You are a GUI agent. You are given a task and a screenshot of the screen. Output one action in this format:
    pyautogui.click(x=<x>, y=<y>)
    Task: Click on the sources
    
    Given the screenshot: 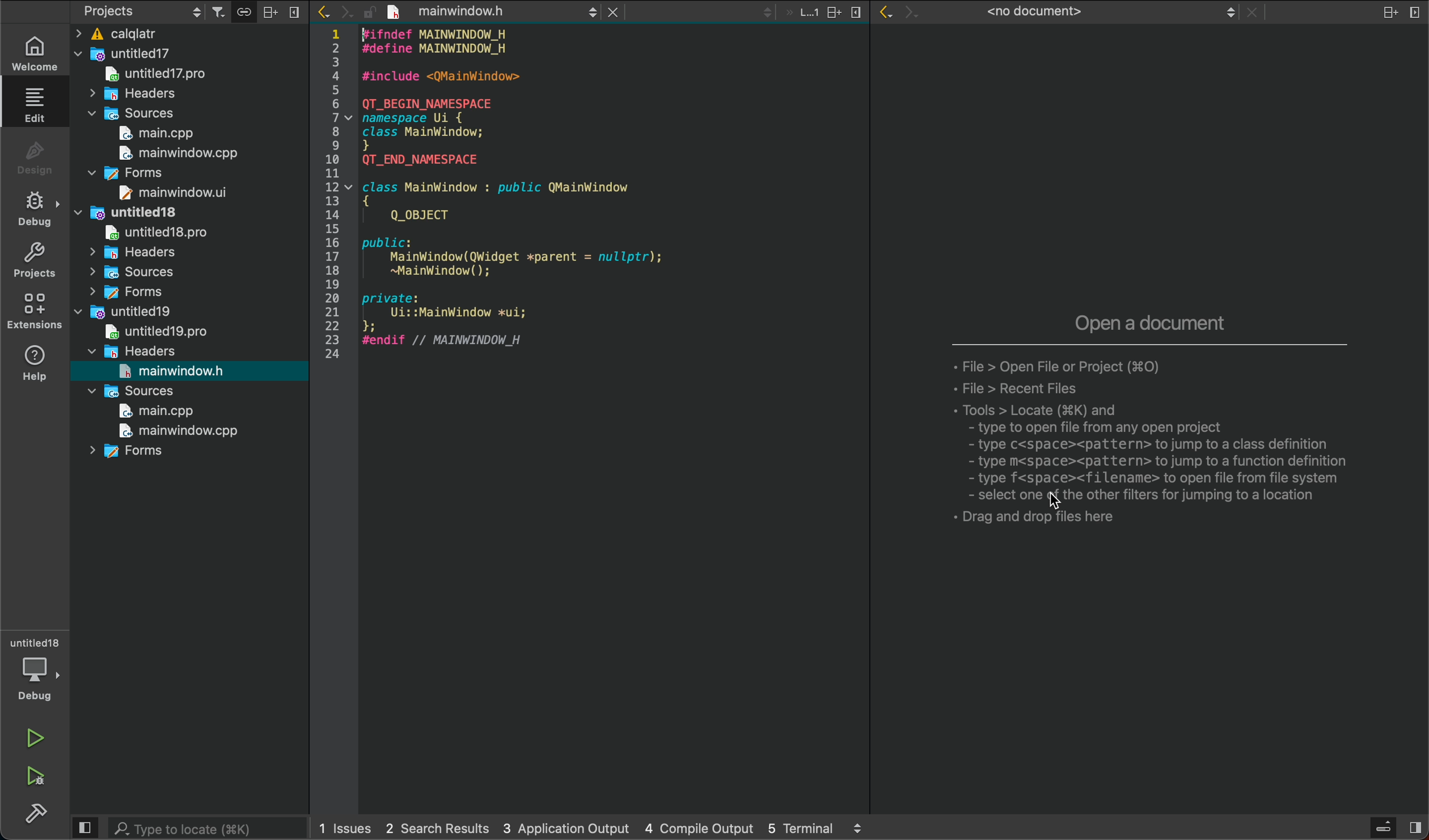 What is the action you would take?
    pyautogui.click(x=134, y=114)
    